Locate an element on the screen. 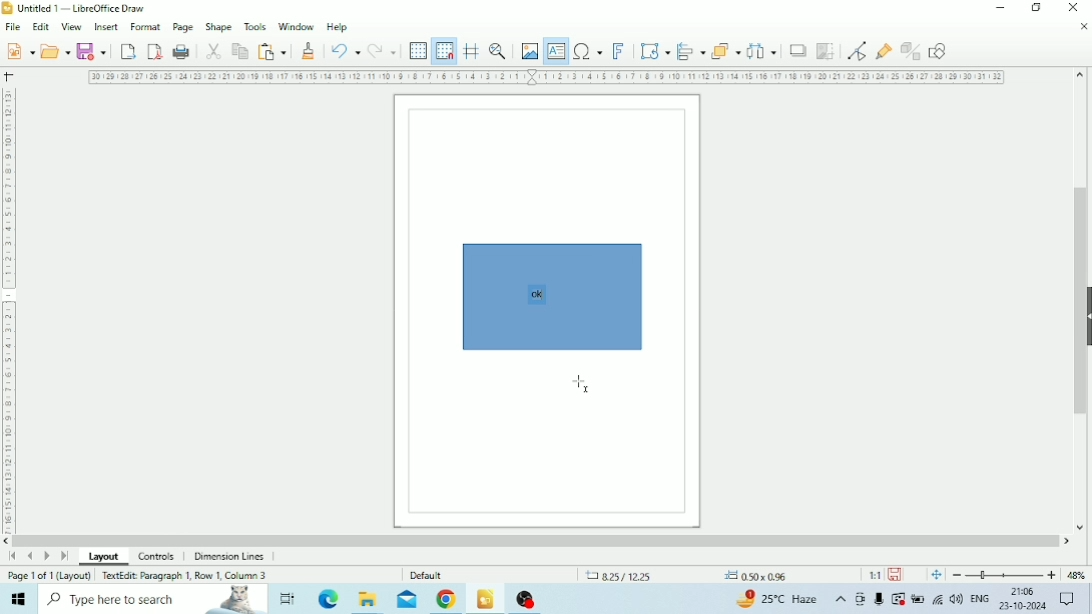 The image size is (1092, 614). TextEdit is located at coordinates (186, 574).